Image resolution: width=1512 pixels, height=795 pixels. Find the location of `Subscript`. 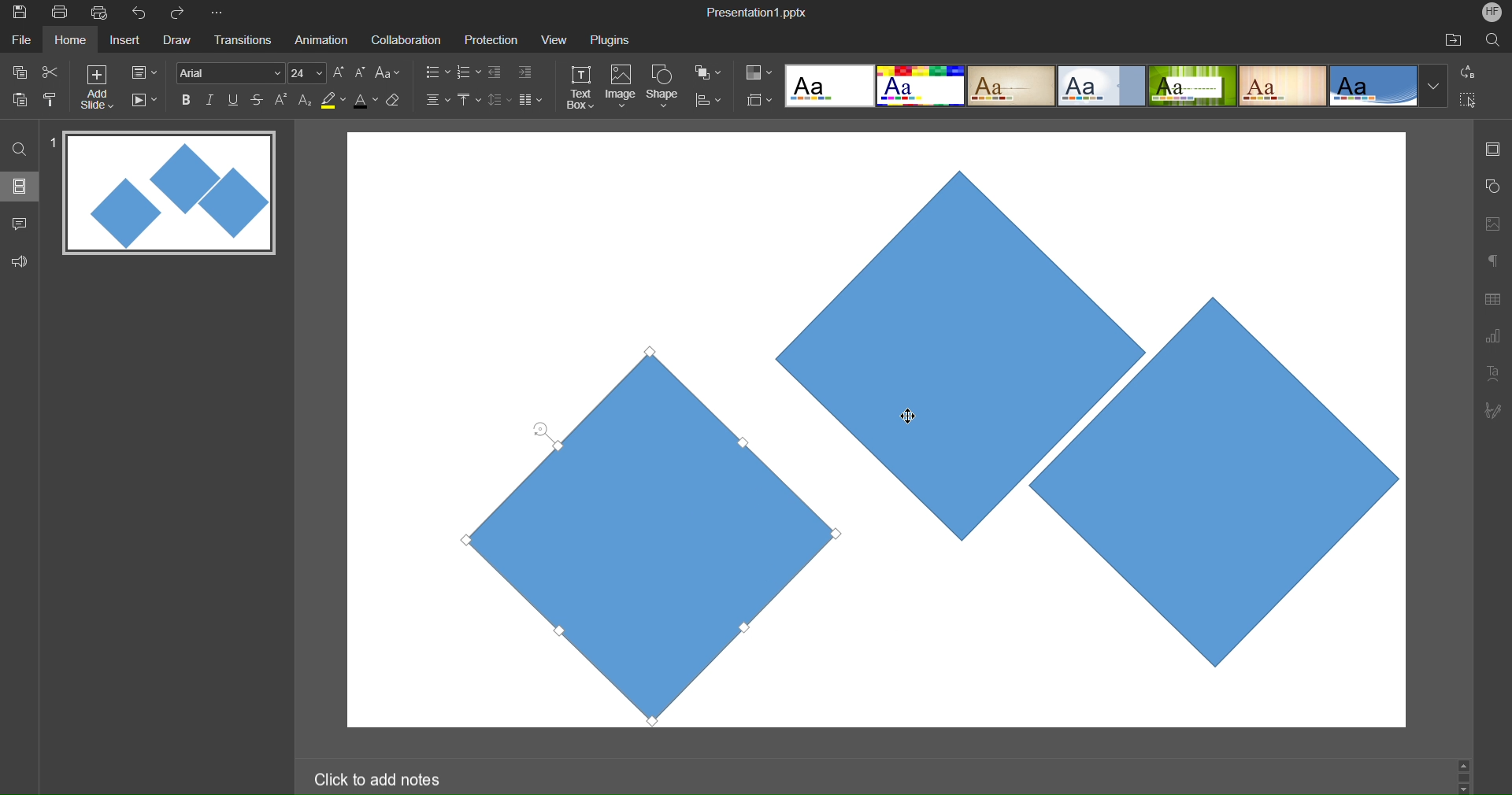

Subscript is located at coordinates (306, 99).